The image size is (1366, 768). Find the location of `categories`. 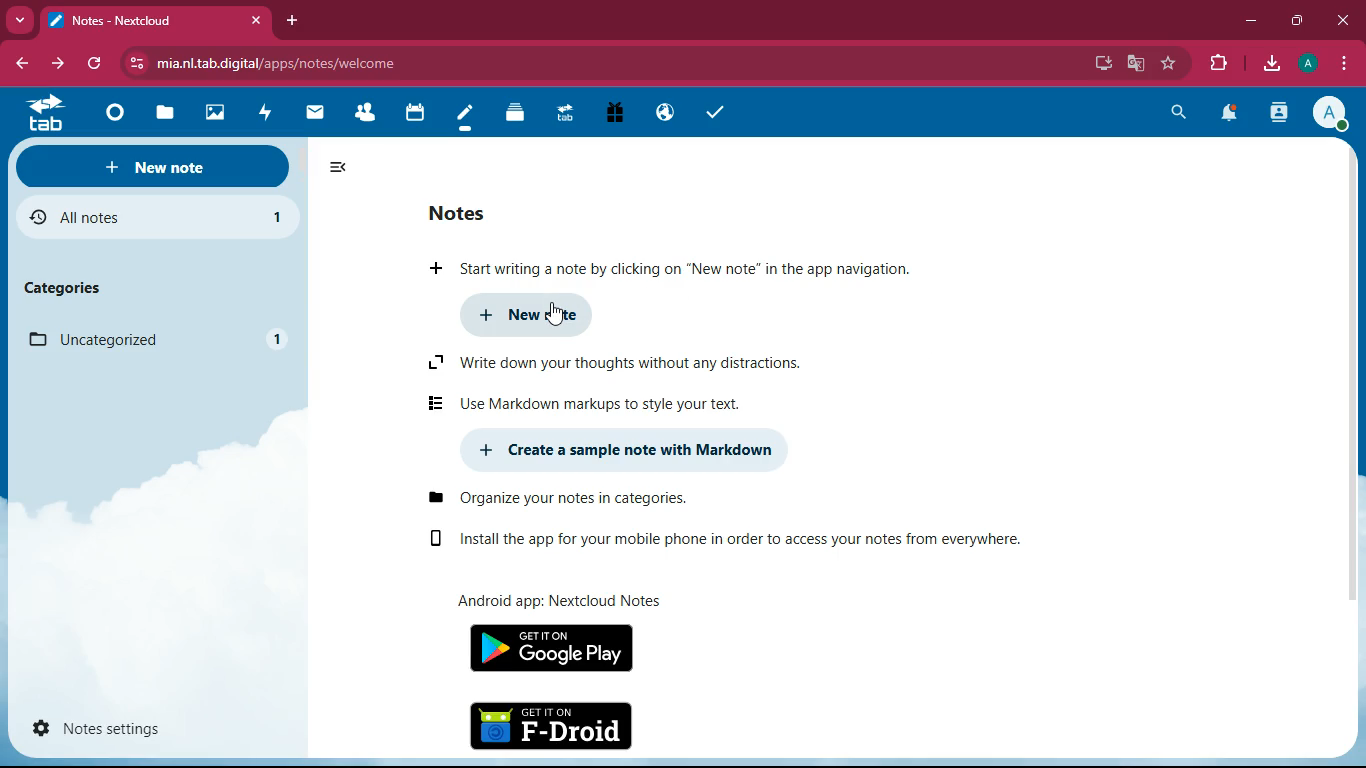

categories is located at coordinates (62, 287).